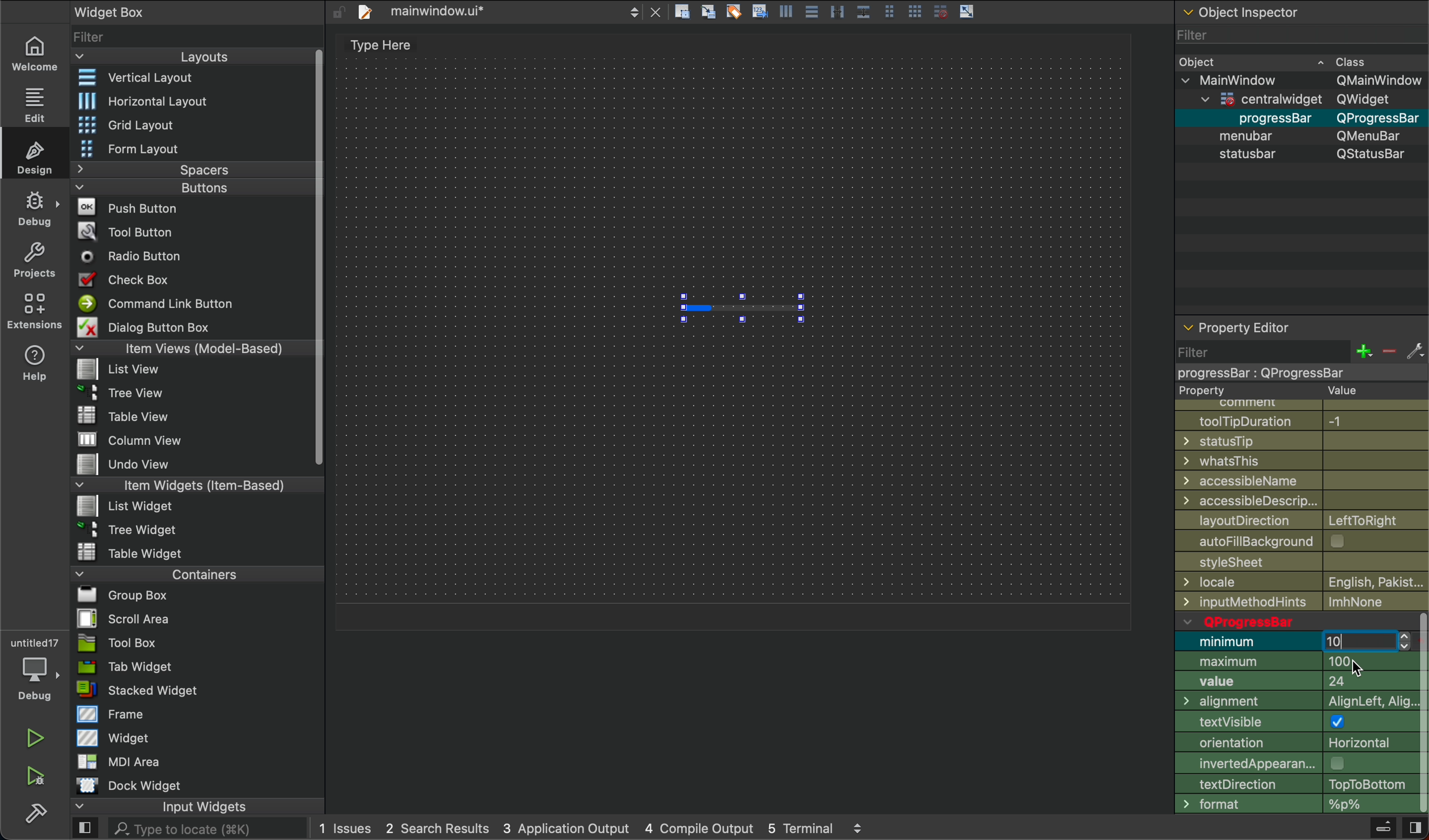  What do you see at coordinates (338, 12) in the screenshot?
I see `unlock` at bounding box center [338, 12].